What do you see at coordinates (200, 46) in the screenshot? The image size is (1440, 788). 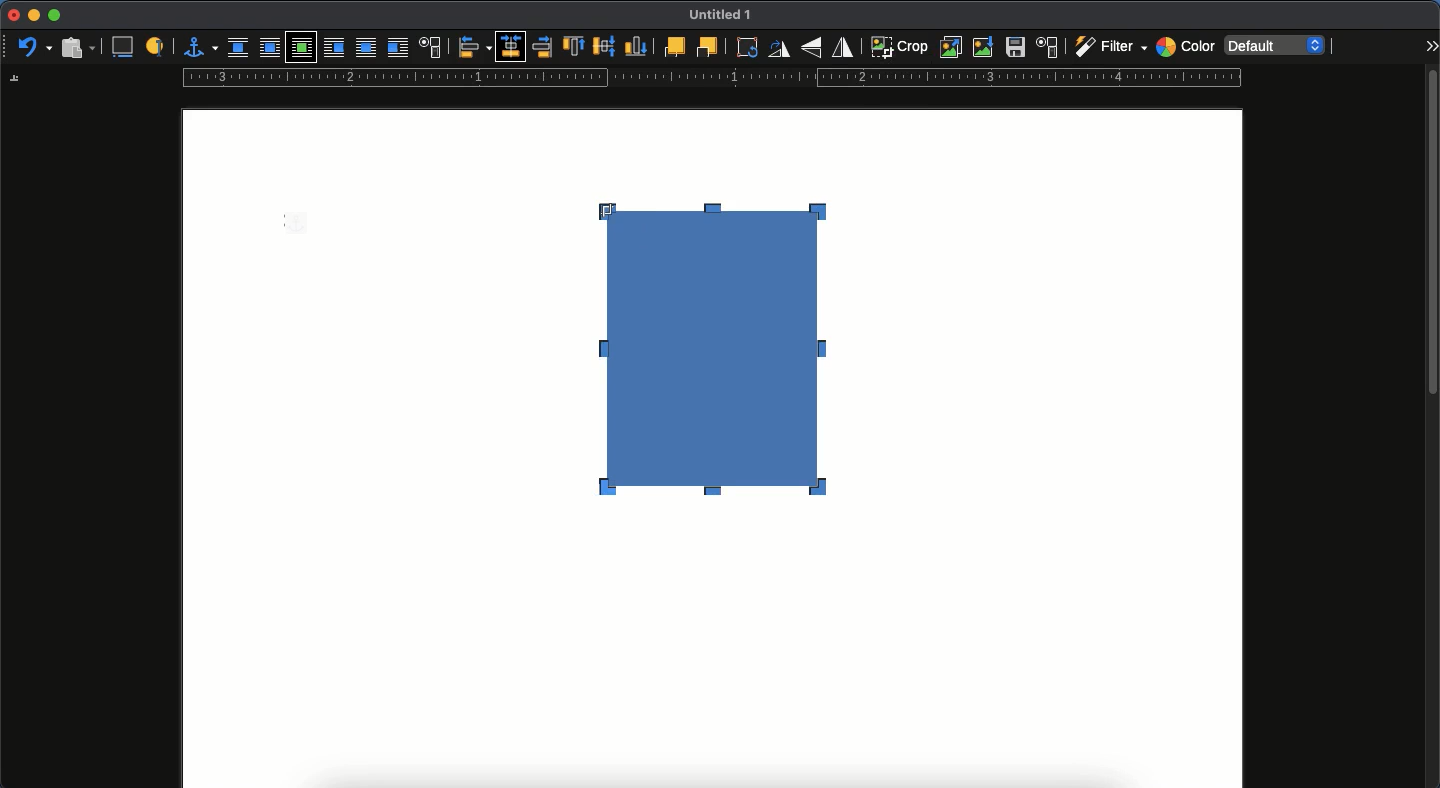 I see `anchor for object` at bounding box center [200, 46].